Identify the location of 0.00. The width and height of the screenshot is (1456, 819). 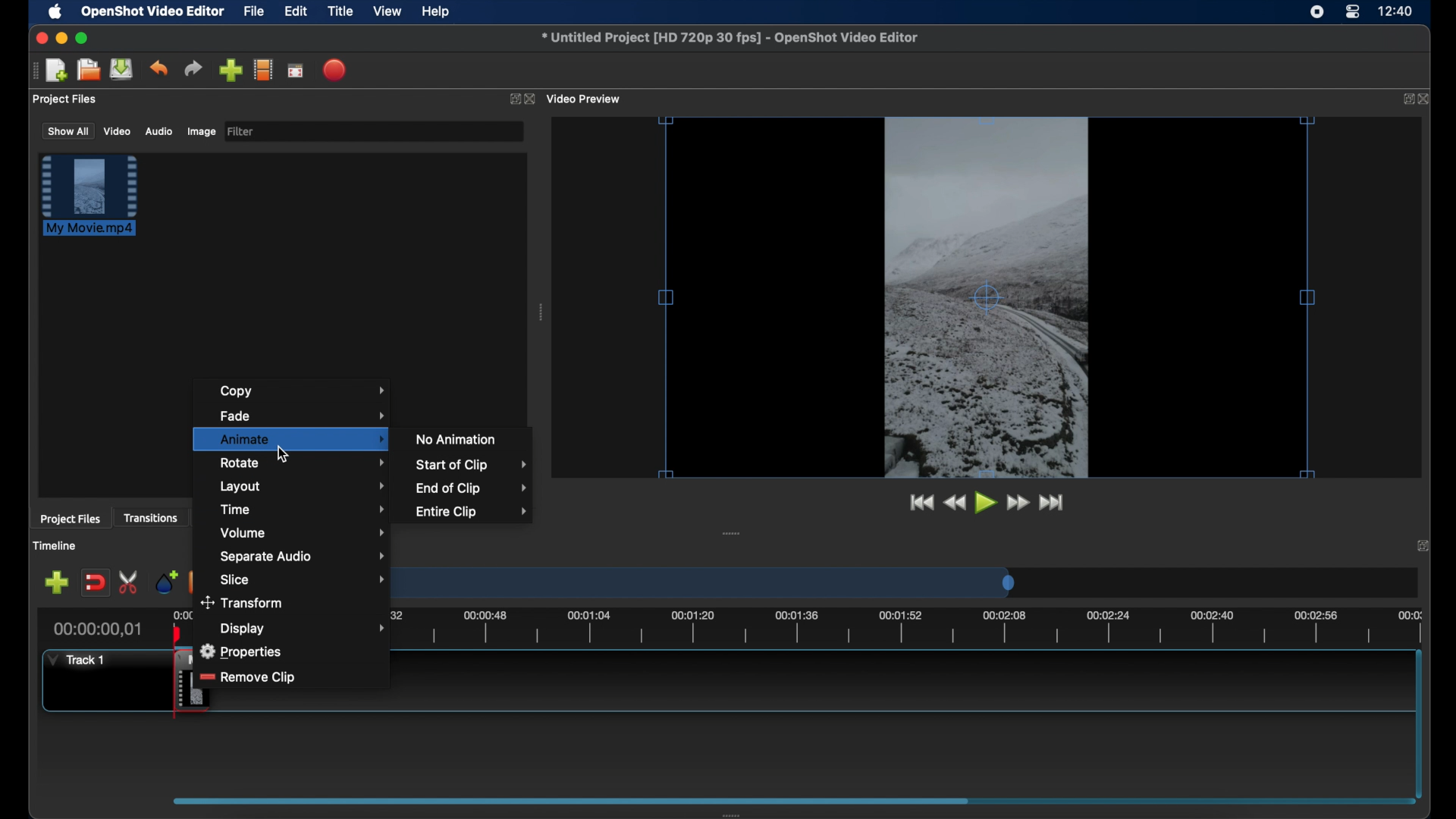
(182, 613).